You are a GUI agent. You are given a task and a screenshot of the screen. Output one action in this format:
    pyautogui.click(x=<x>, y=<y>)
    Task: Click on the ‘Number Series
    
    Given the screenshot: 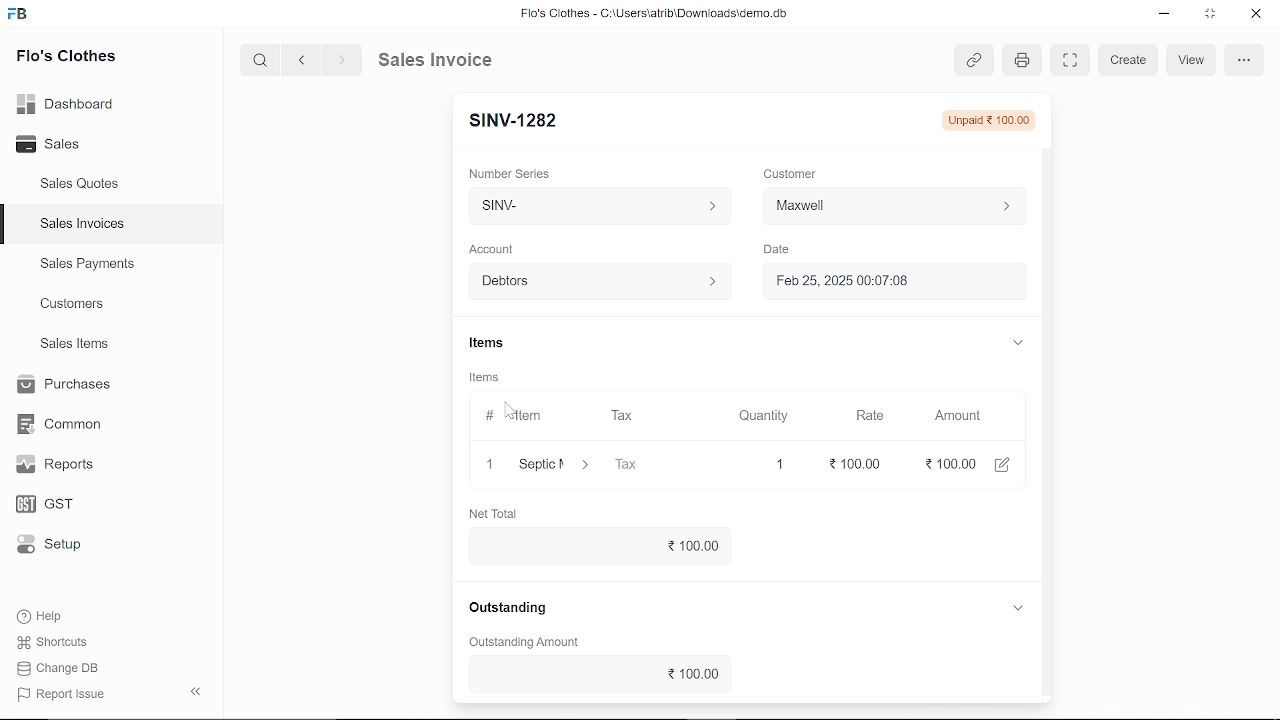 What is the action you would take?
    pyautogui.click(x=510, y=173)
    